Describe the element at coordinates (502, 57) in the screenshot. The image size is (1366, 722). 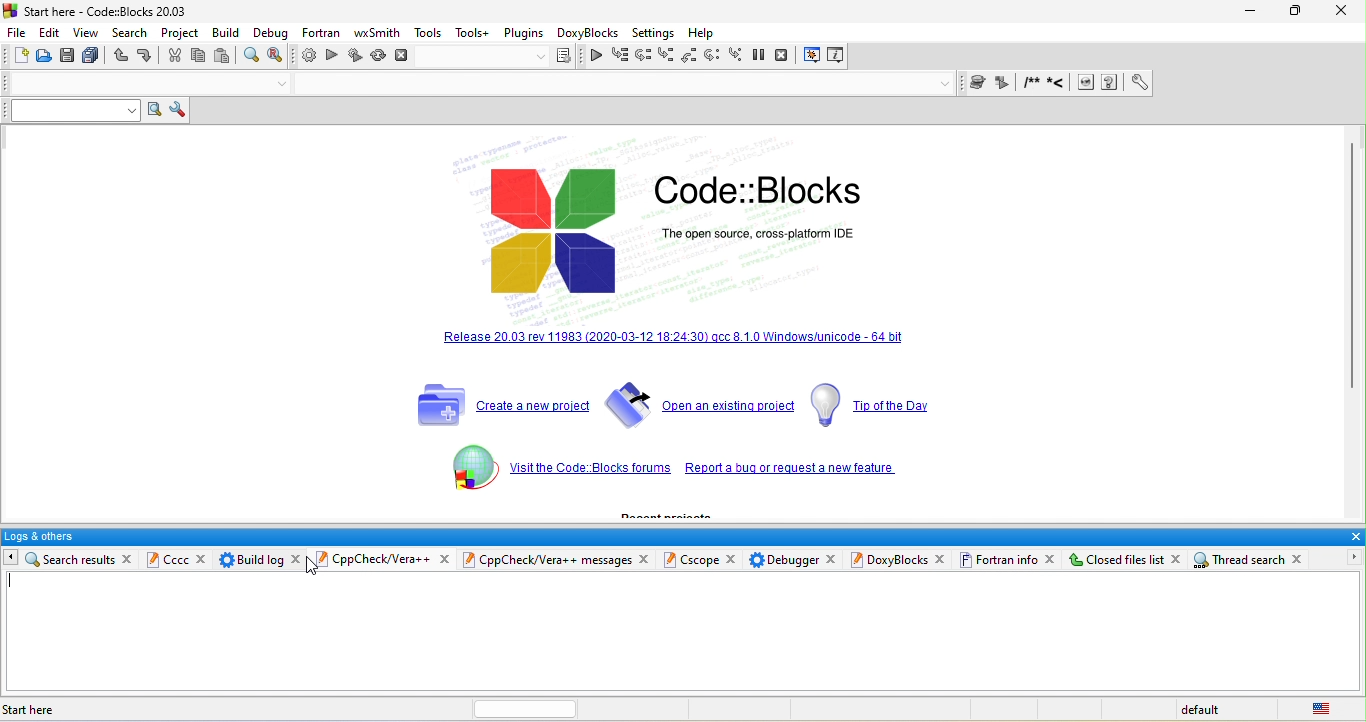
I see `show the select target dialog` at that location.